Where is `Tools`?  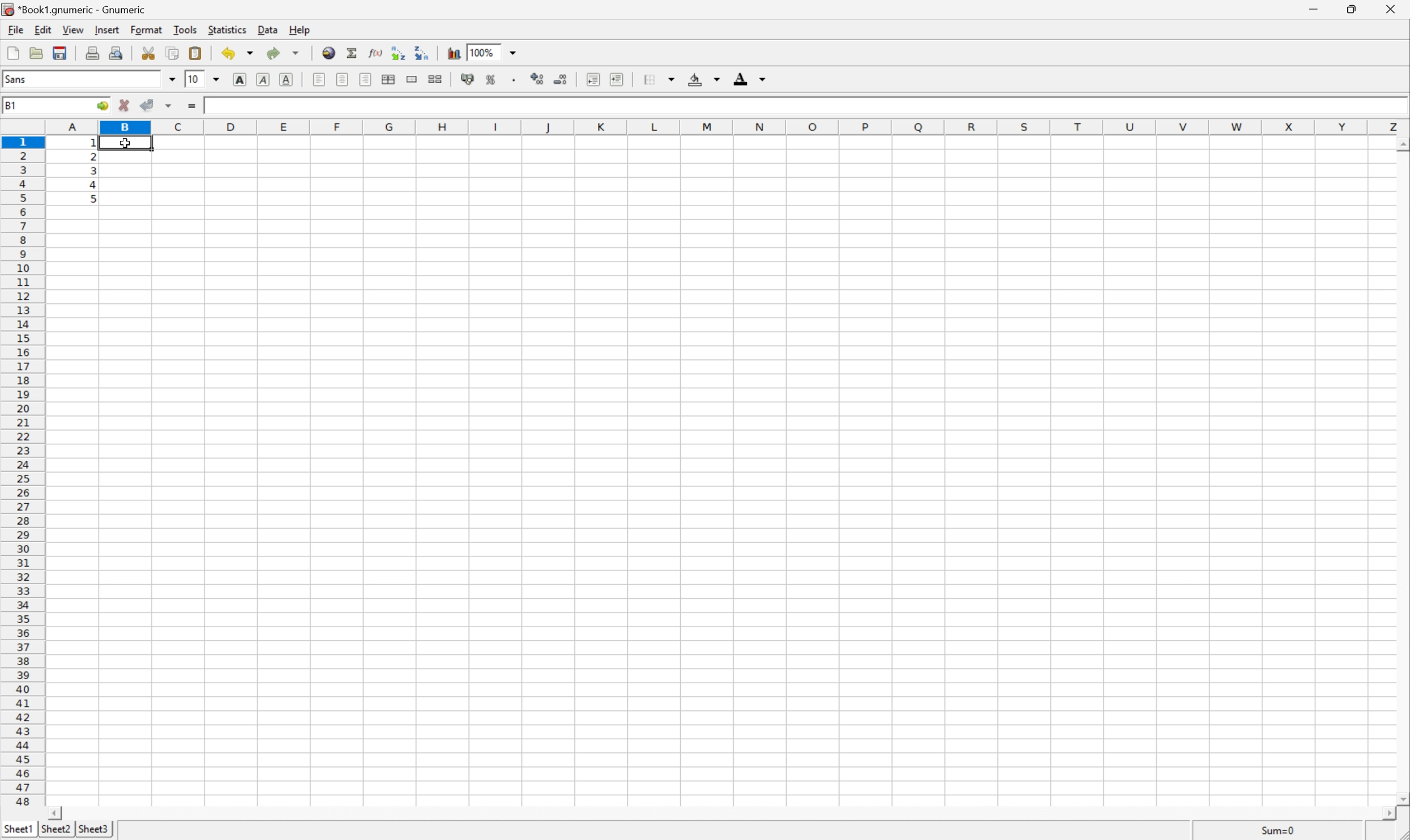 Tools is located at coordinates (185, 30).